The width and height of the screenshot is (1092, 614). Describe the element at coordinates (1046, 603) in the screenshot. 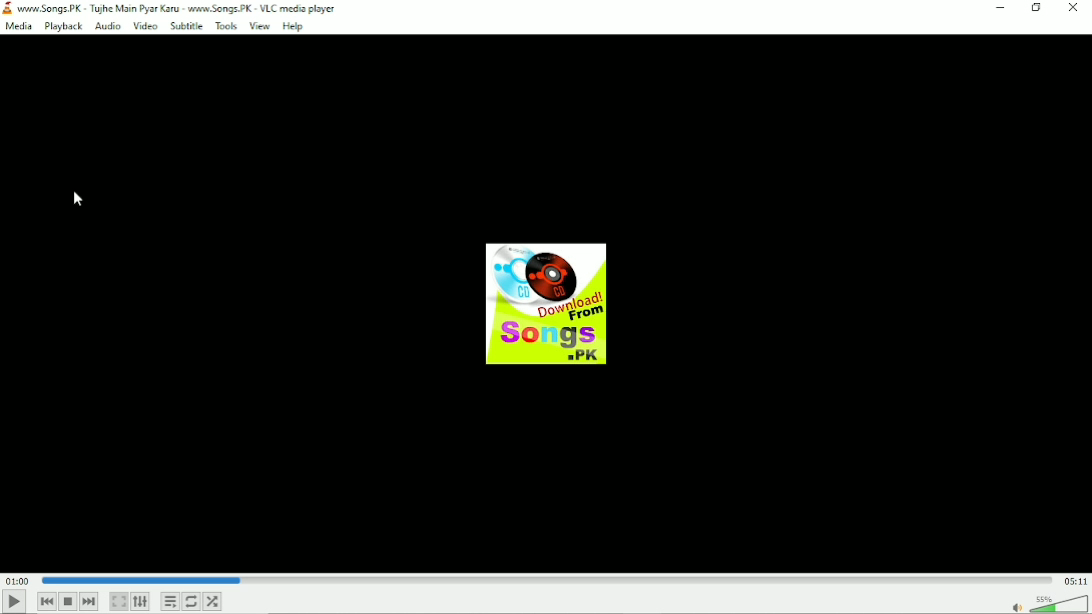

I see `Volume` at that location.